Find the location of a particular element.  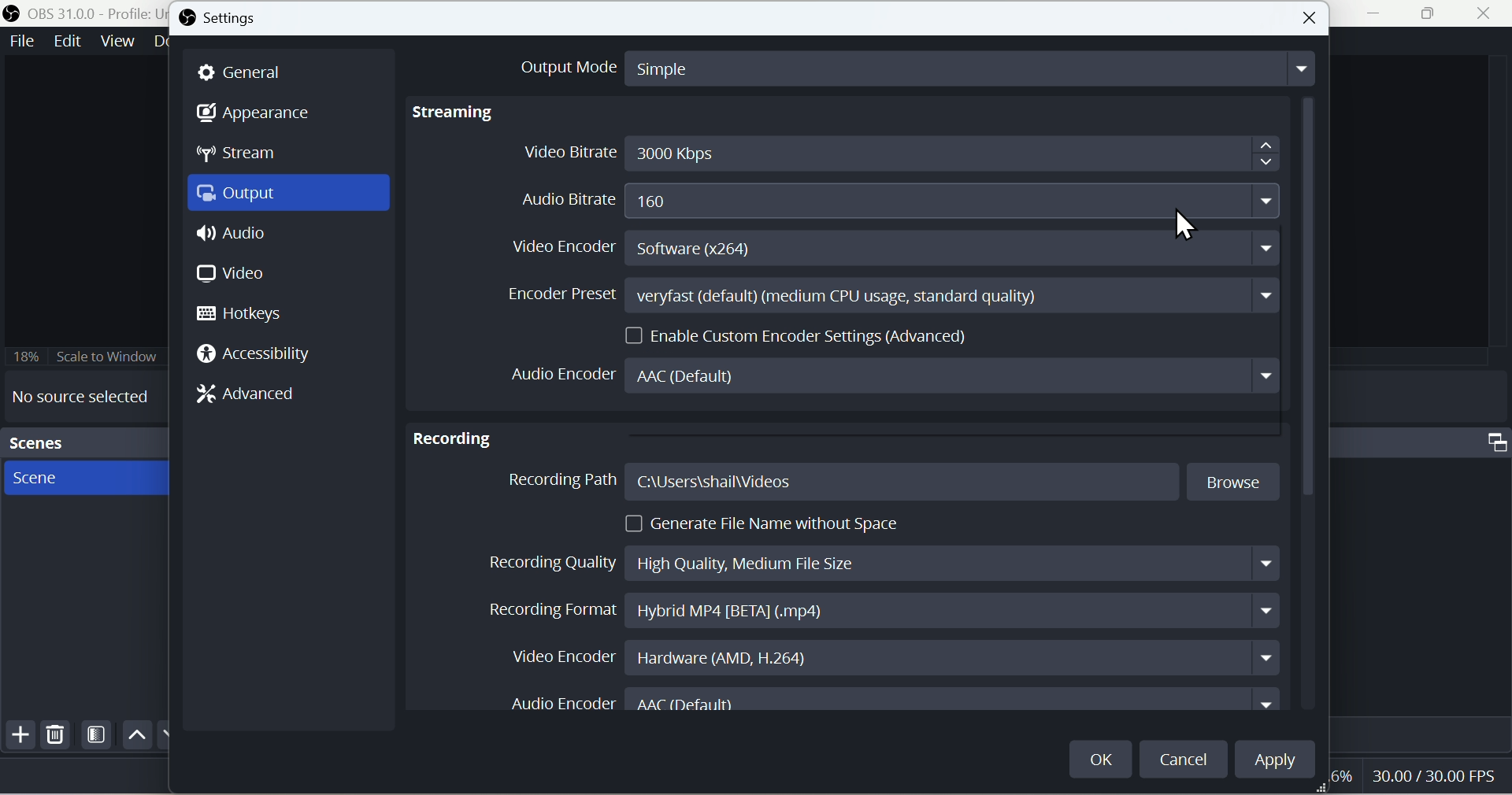

30.00/30.00 FPS is located at coordinates (1429, 775).